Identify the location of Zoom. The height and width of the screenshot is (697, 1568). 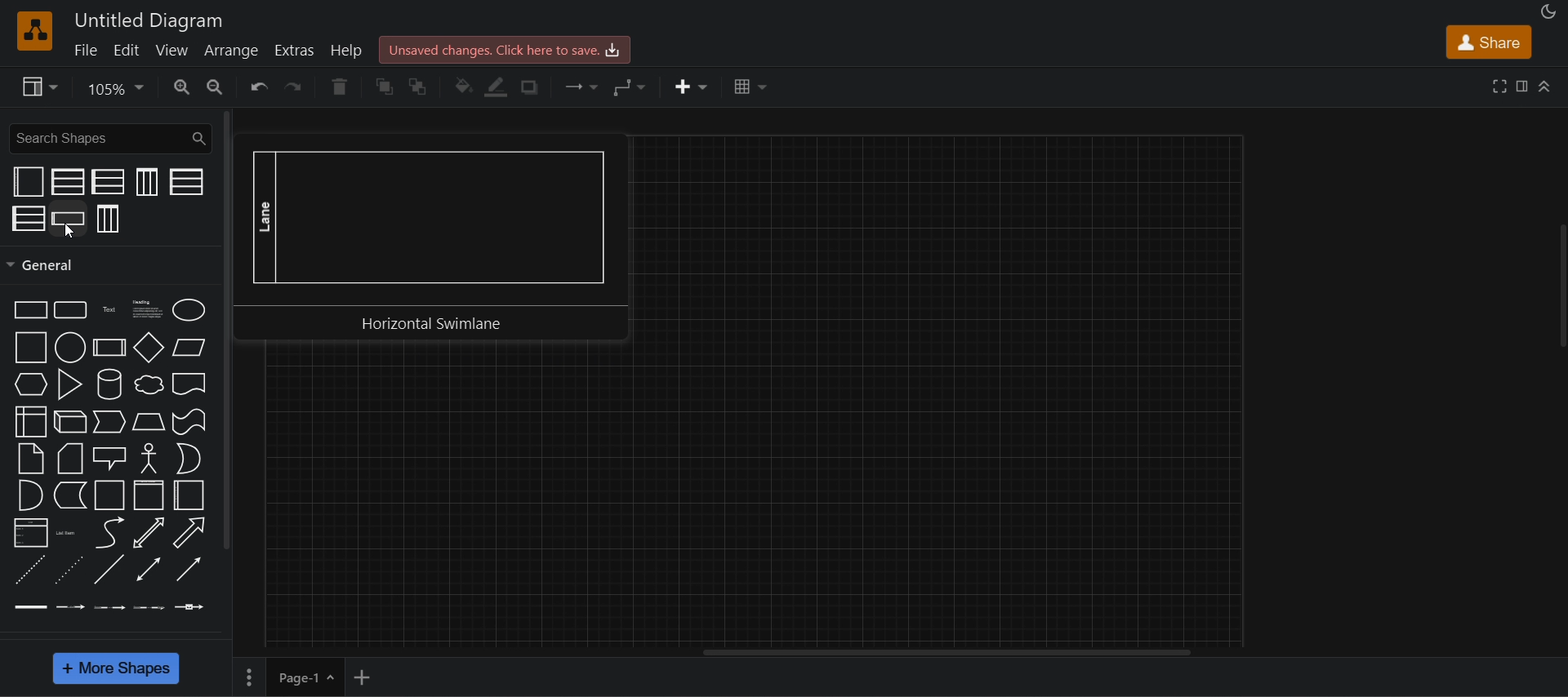
(118, 87).